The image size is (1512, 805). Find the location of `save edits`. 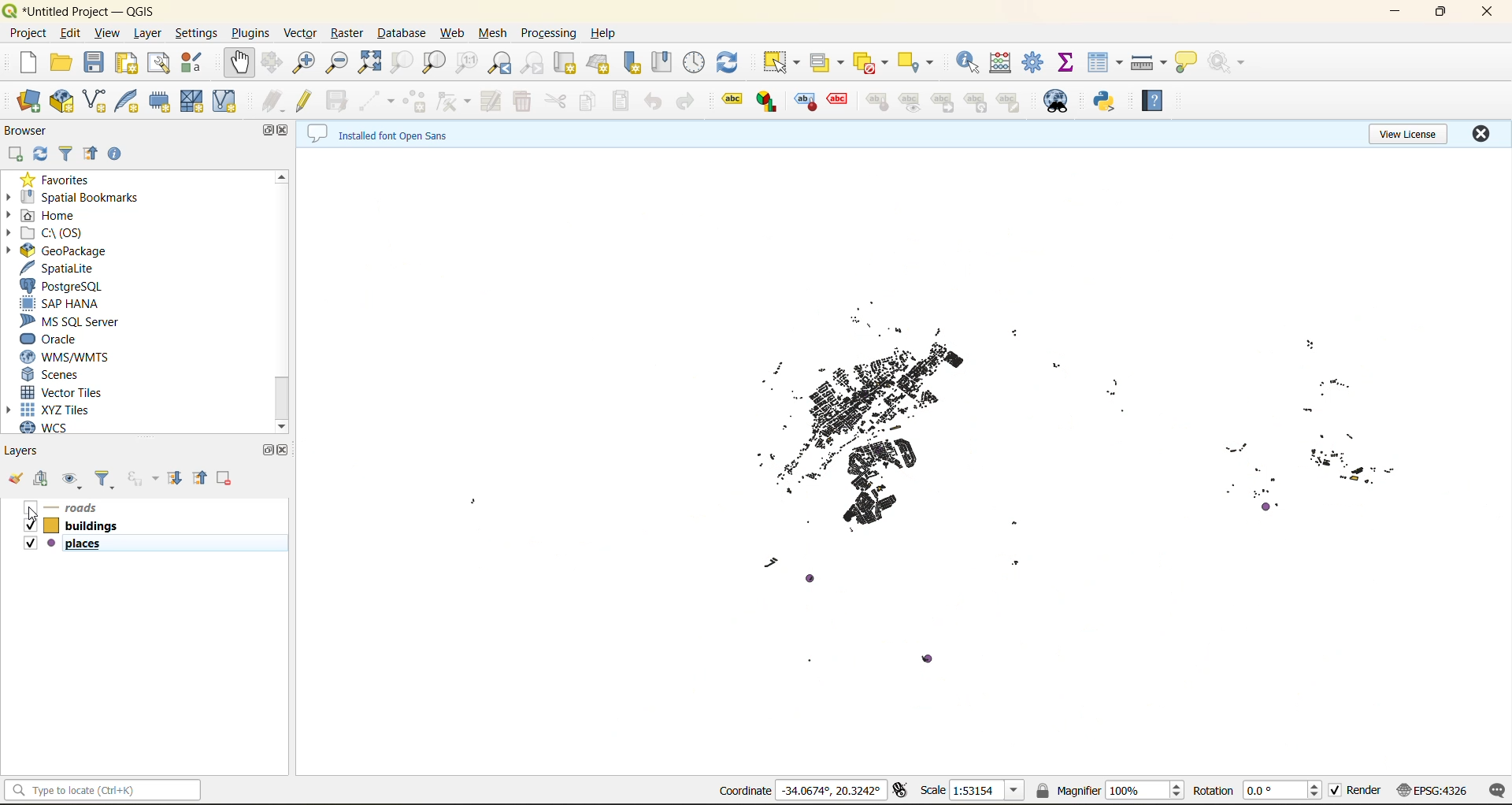

save edits is located at coordinates (338, 102).